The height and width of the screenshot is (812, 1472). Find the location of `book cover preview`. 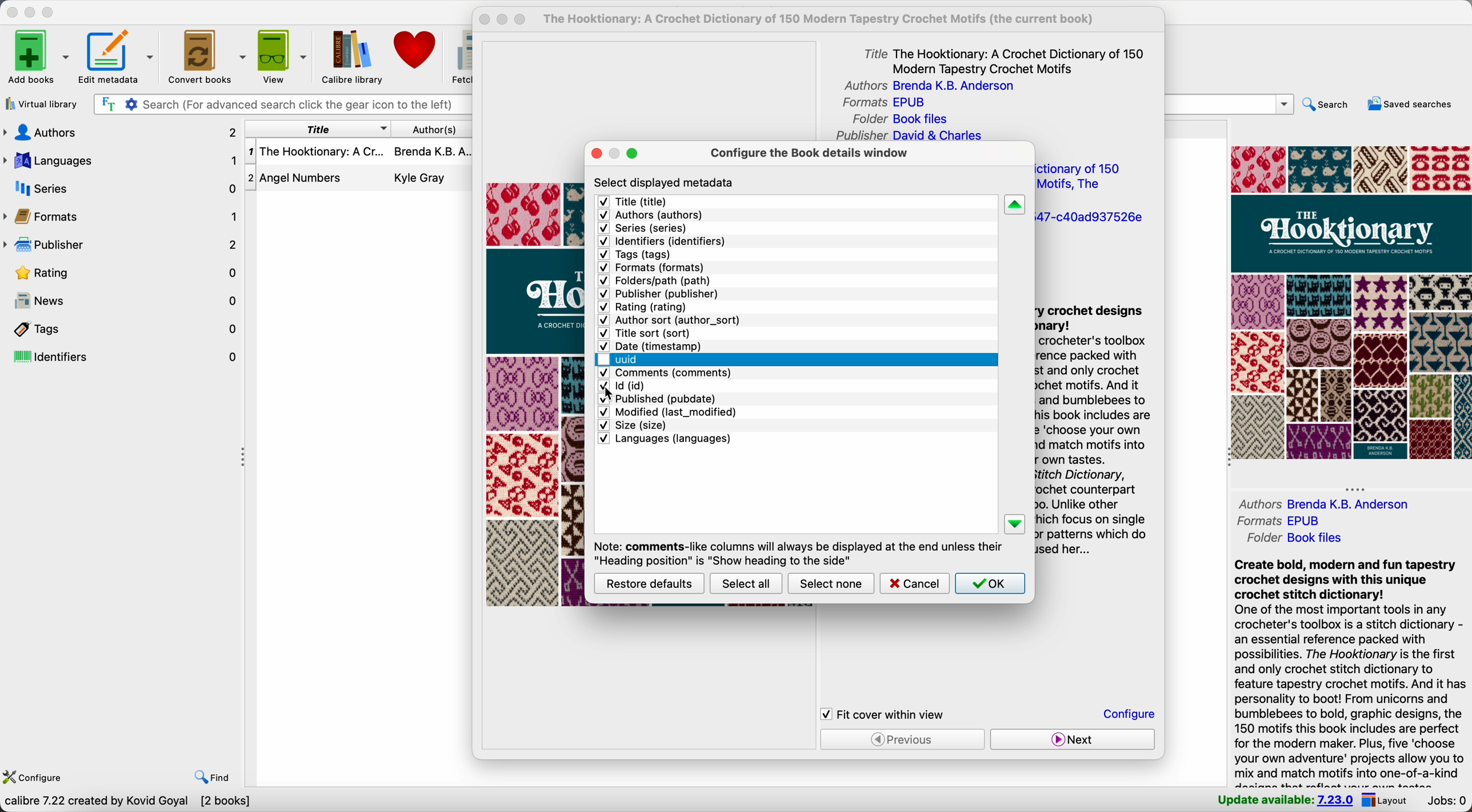

book cover preview is located at coordinates (537, 394).